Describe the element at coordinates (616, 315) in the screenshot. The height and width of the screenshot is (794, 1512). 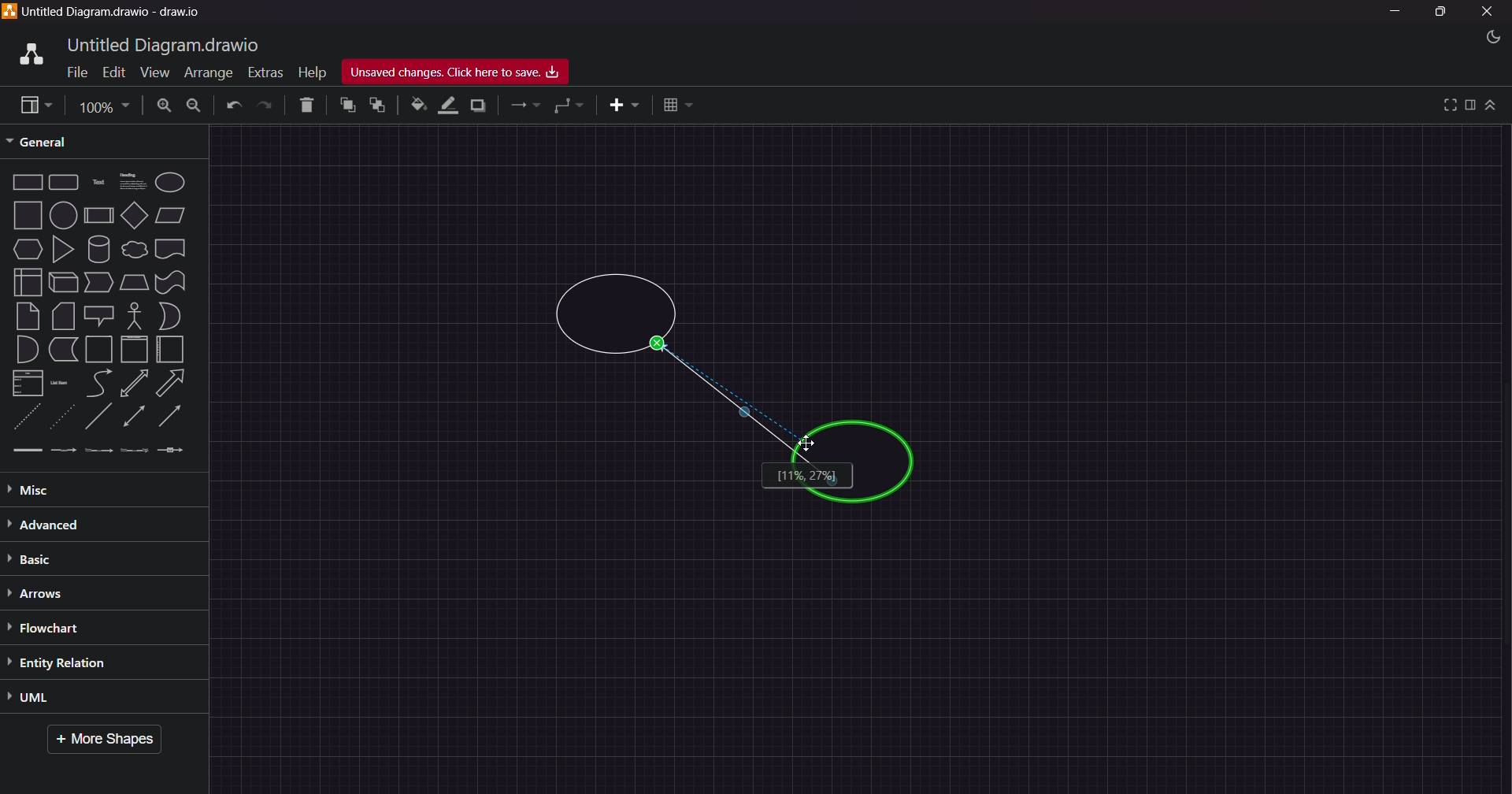
I see `Circle 1` at that location.